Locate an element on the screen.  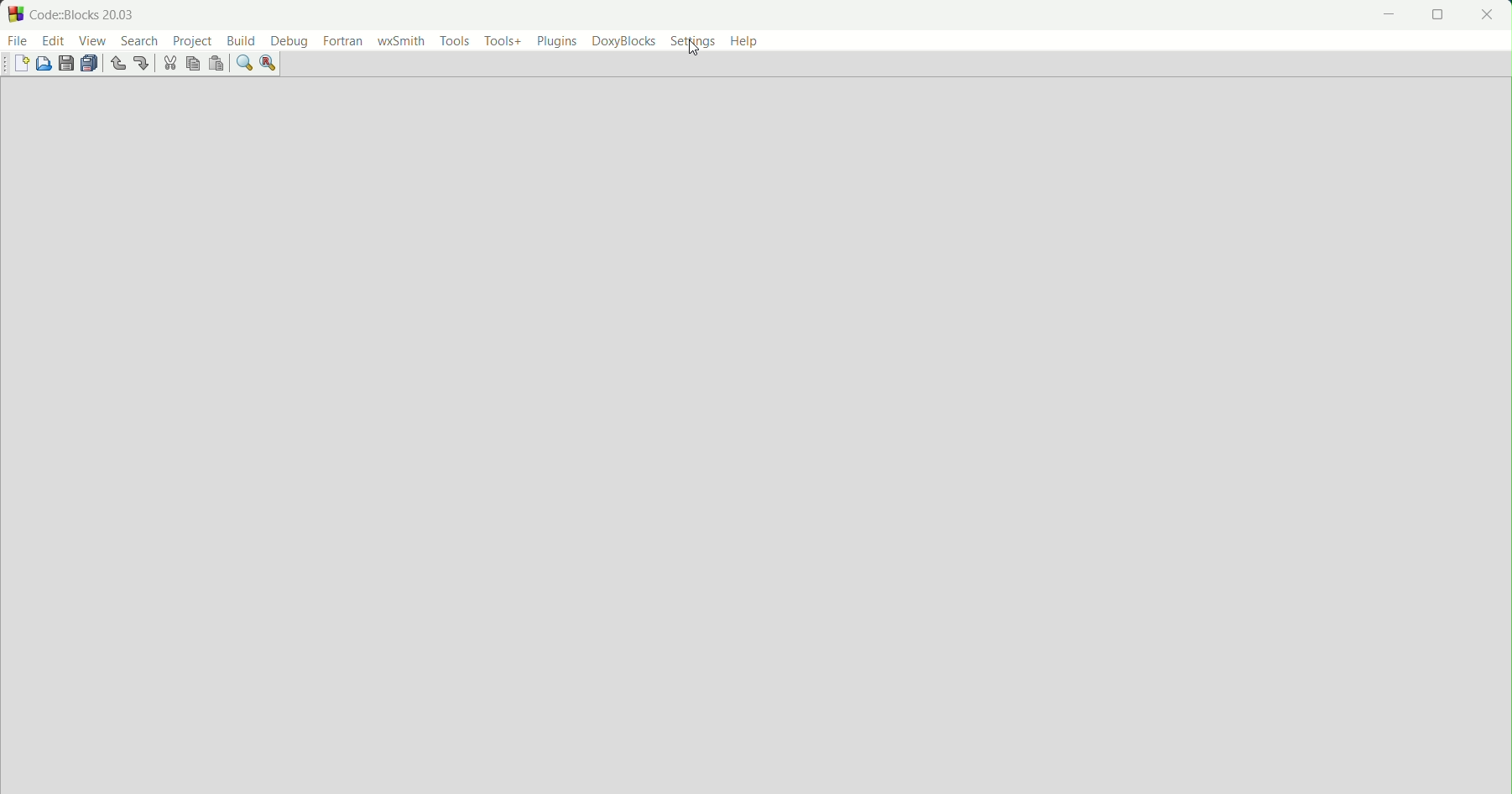
tools is located at coordinates (454, 41).